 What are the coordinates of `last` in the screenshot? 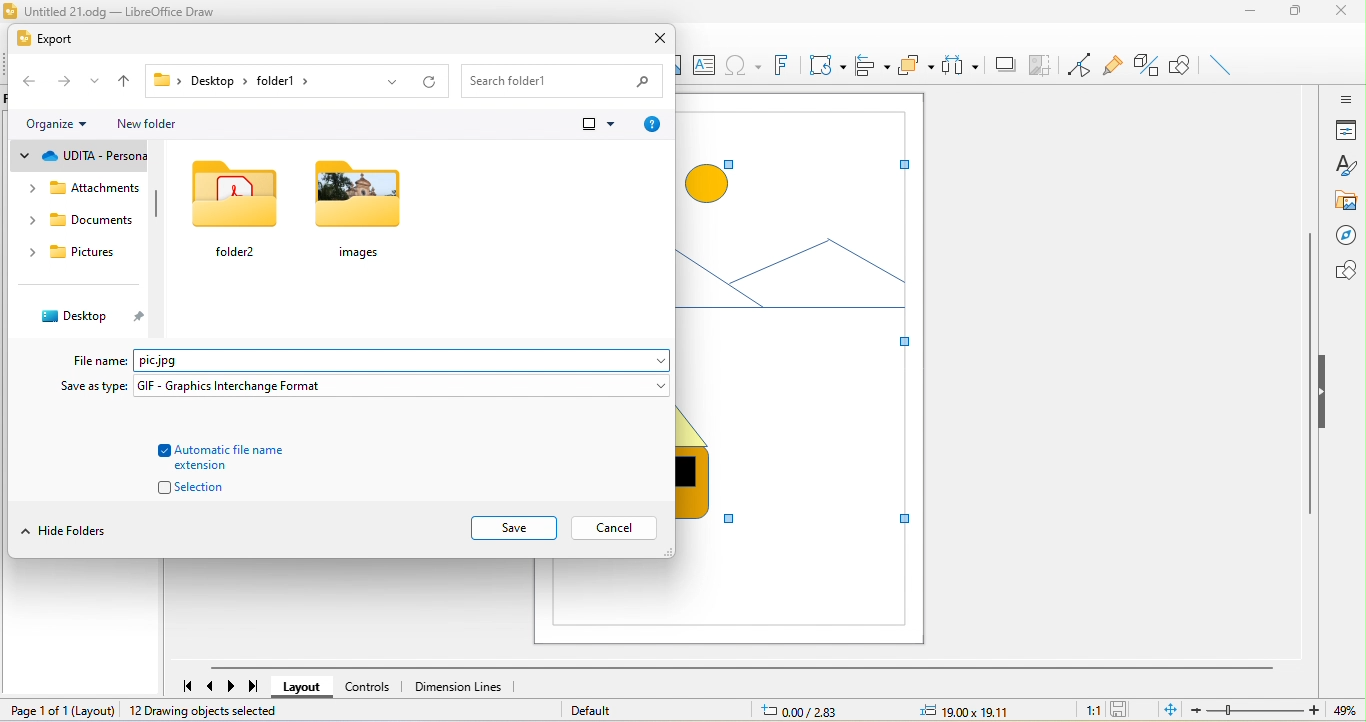 It's located at (254, 687).